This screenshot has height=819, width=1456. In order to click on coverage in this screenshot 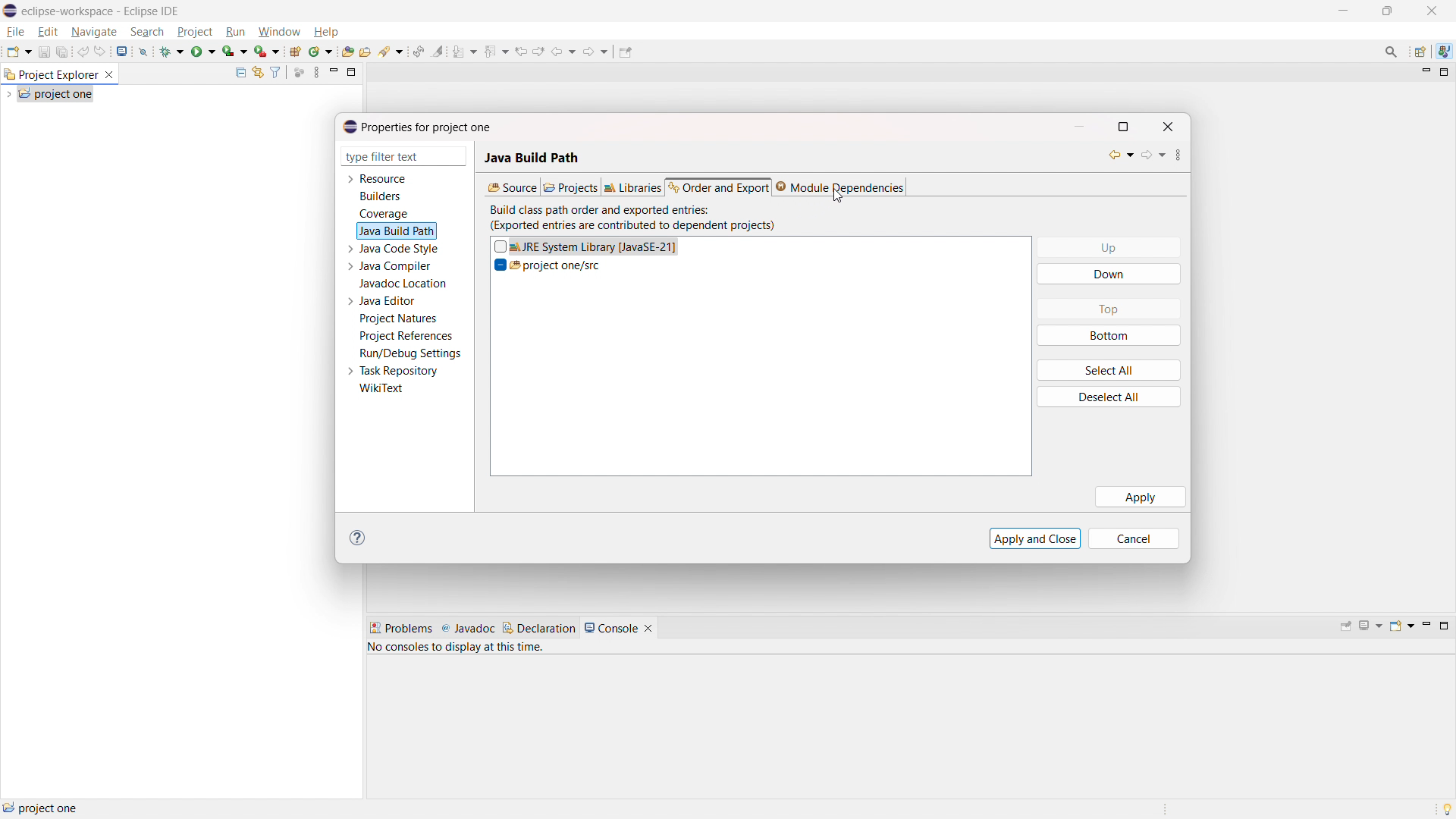, I will do `click(384, 214)`.